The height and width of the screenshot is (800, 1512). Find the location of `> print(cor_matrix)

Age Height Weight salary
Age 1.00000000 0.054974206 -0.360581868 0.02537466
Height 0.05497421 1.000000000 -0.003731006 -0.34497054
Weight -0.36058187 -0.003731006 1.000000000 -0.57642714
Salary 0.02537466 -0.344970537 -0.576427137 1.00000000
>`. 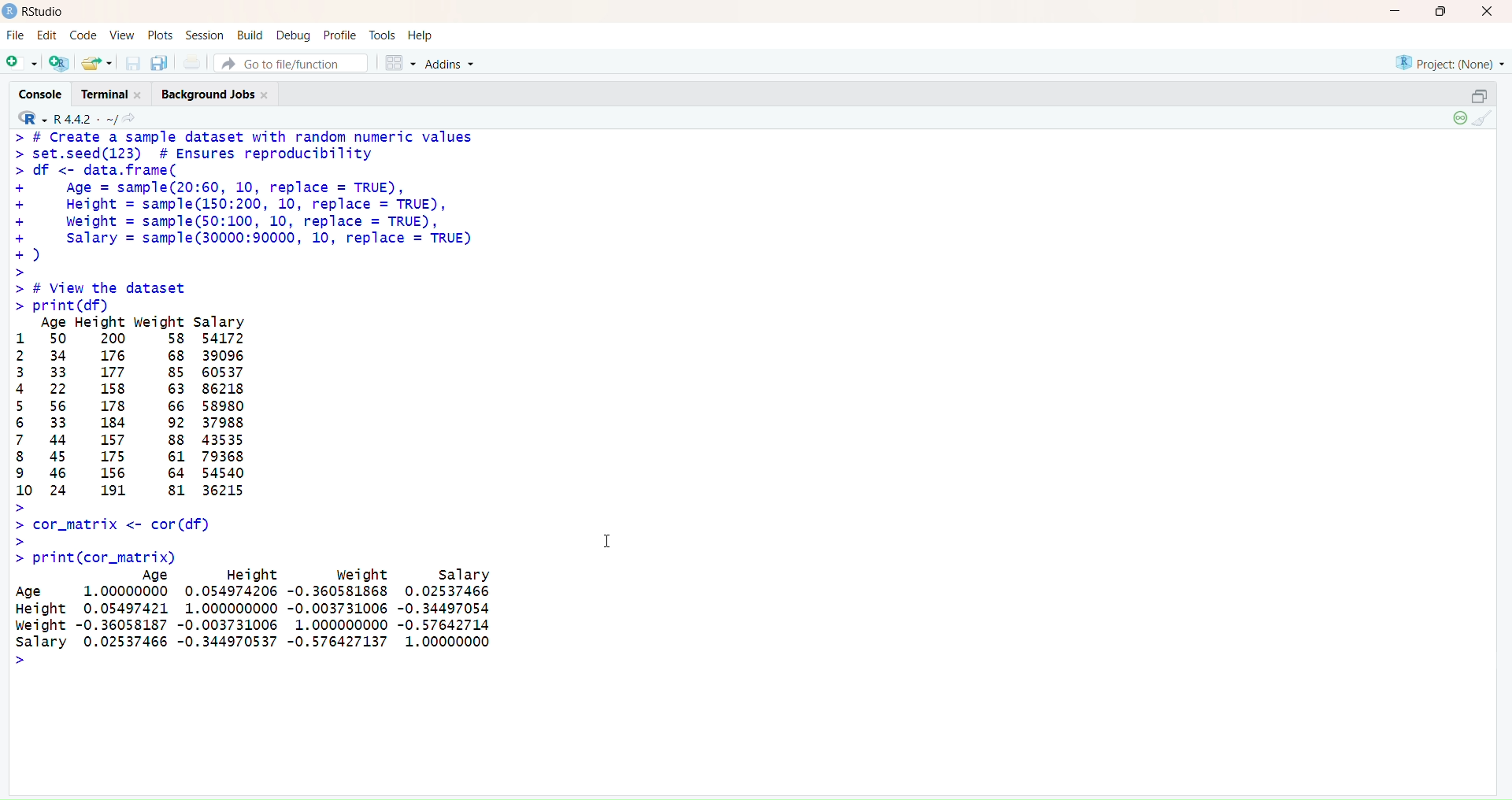

> print(cor_matrix)

Age Height Weight salary
Age 1.00000000 0.054974206 -0.360581868 0.02537466
Height 0.05497421 1.000000000 -0.003731006 -0.34497054
Weight -0.36058187 -0.003731006 1.000000000 -0.57642714
Salary 0.02537466 -0.344970537 -0.576427137 1.00000000
> is located at coordinates (260, 613).